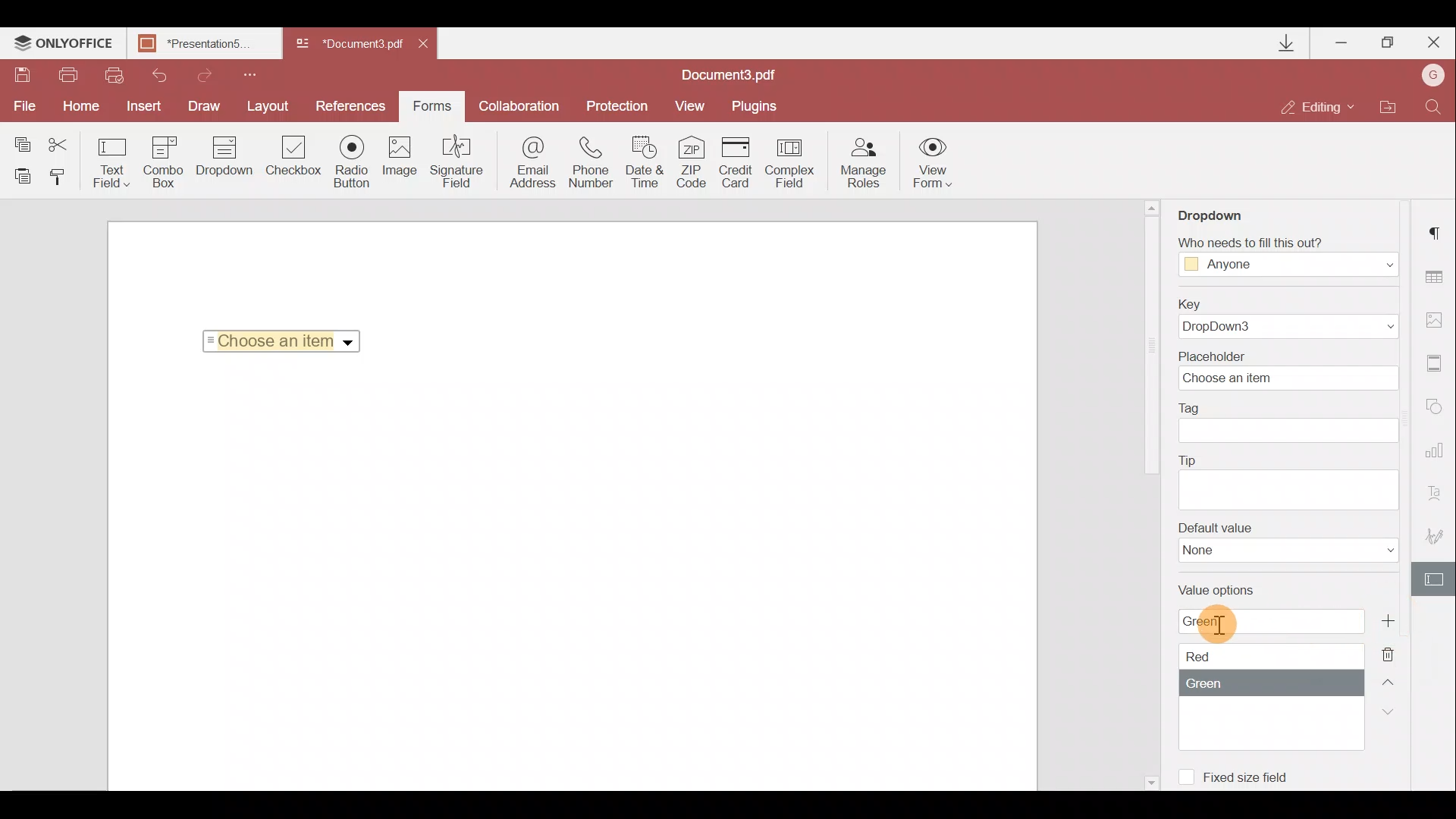  What do you see at coordinates (1295, 424) in the screenshot?
I see `Tag` at bounding box center [1295, 424].